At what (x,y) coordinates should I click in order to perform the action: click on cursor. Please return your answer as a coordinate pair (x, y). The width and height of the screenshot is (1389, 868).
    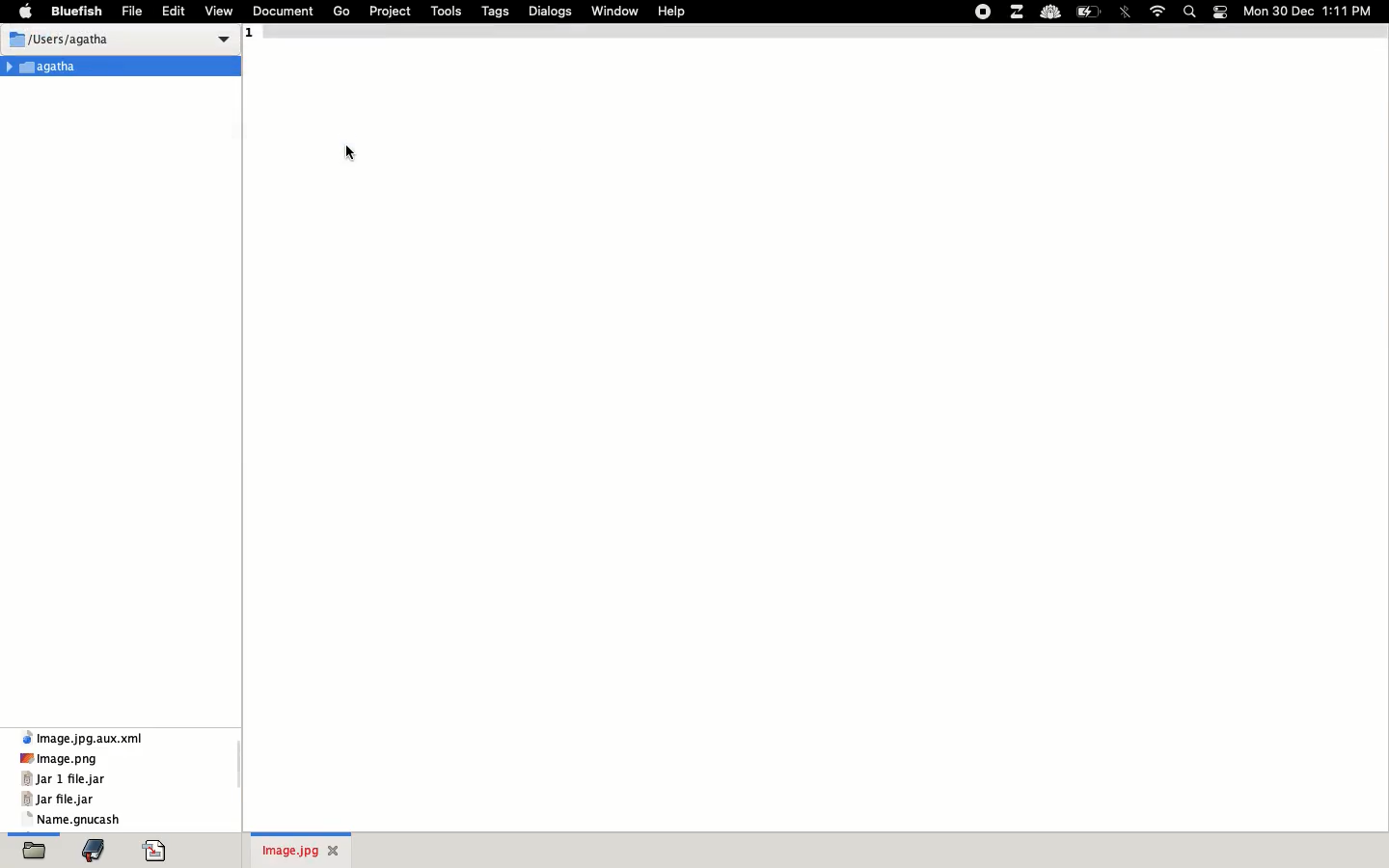
    Looking at the image, I should click on (355, 152).